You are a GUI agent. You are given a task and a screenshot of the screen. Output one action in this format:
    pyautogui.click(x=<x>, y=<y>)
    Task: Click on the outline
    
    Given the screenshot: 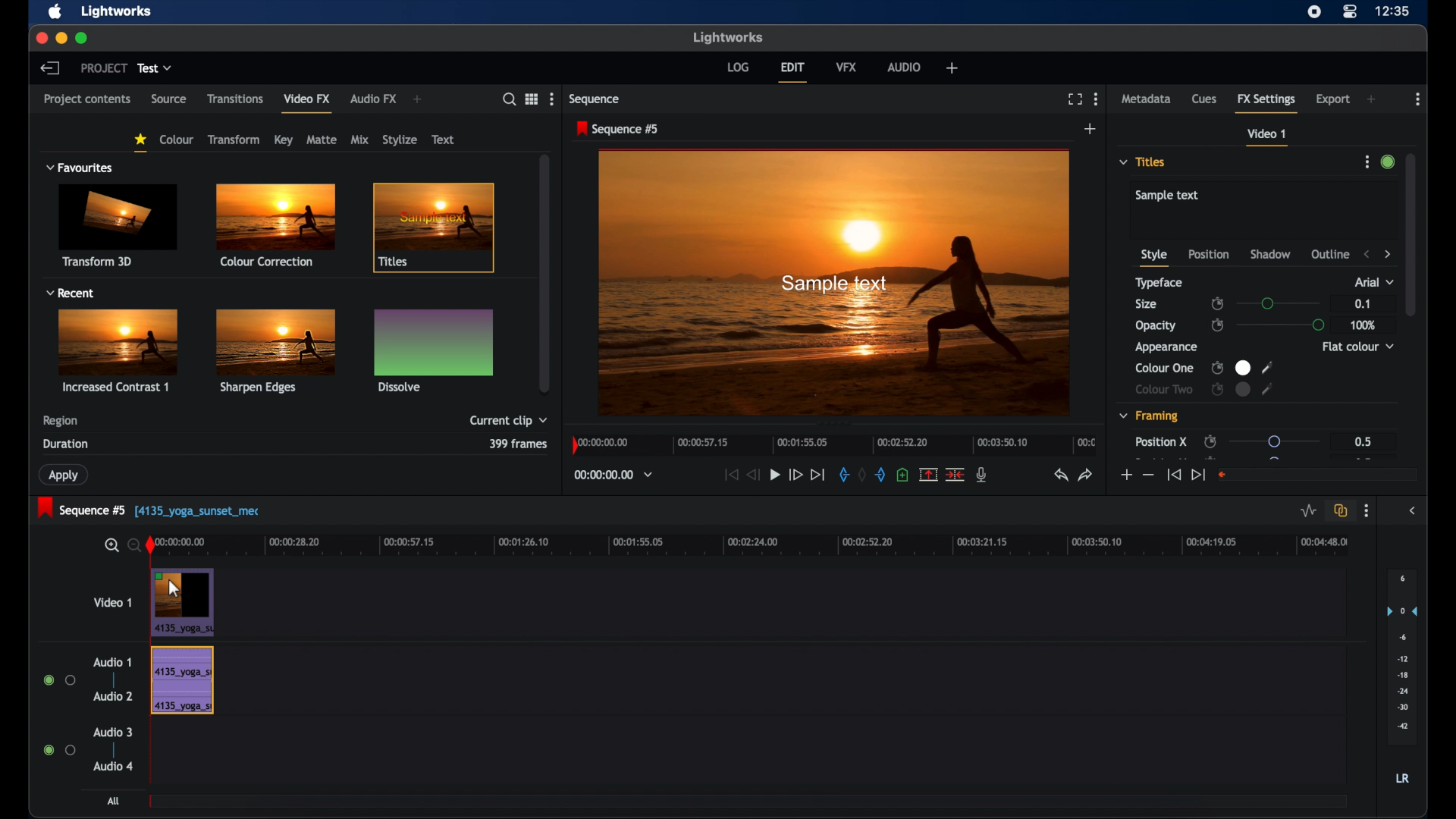 What is the action you would take?
    pyautogui.click(x=1330, y=255)
    